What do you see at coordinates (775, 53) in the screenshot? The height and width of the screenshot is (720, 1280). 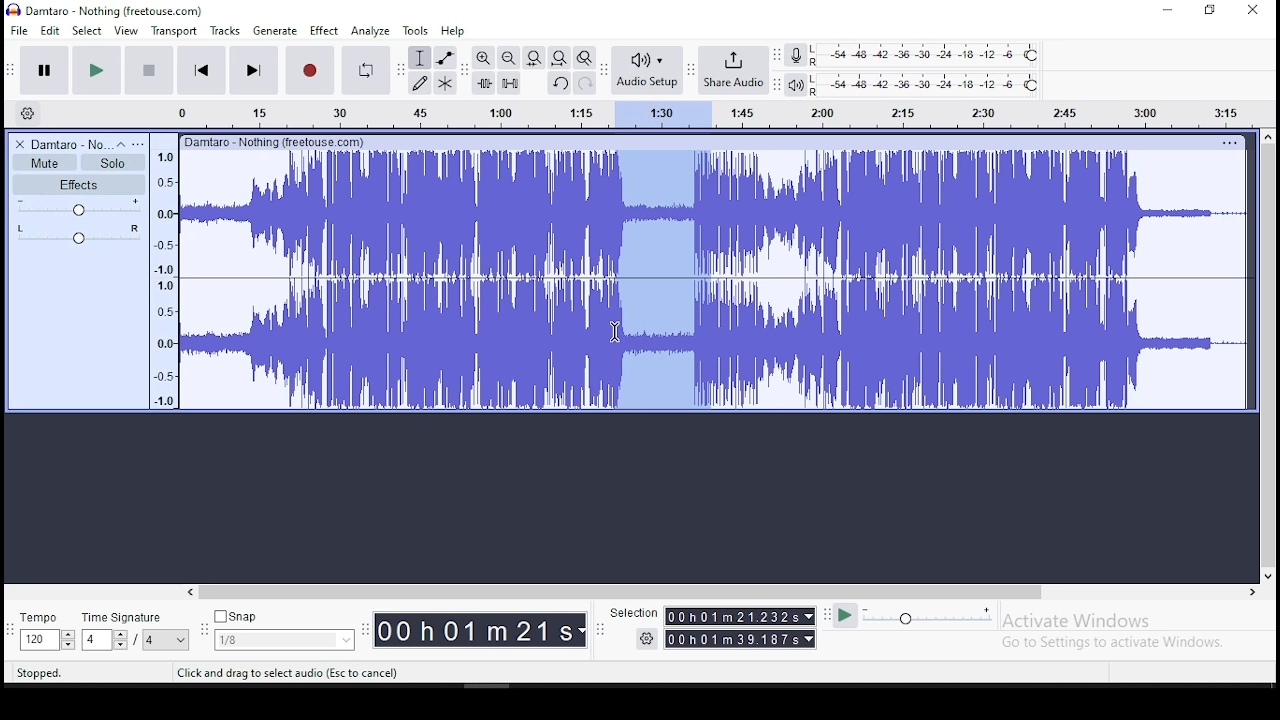 I see `` at bounding box center [775, 53].